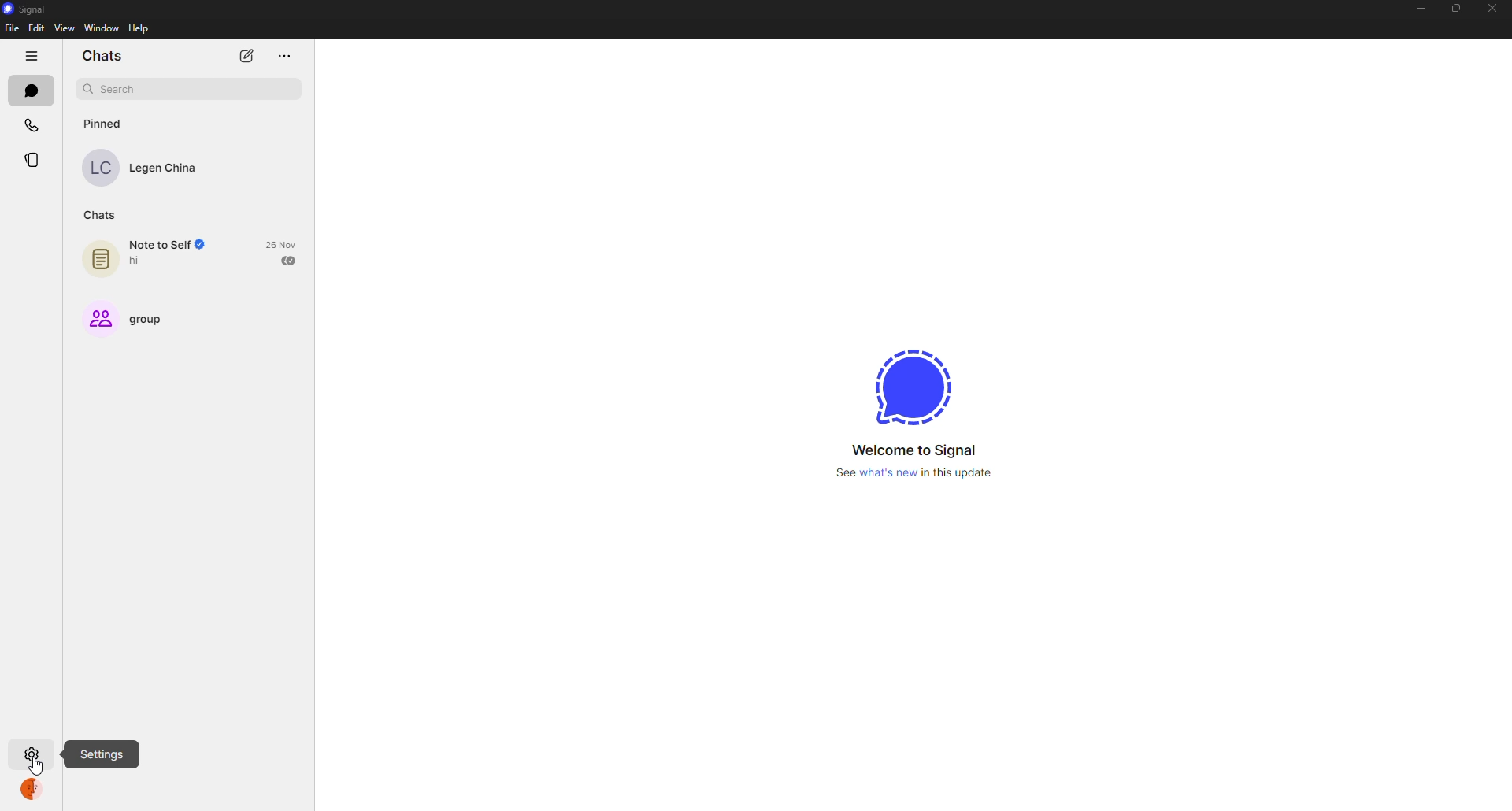  I want to click on maximize, so click(1458, 8).